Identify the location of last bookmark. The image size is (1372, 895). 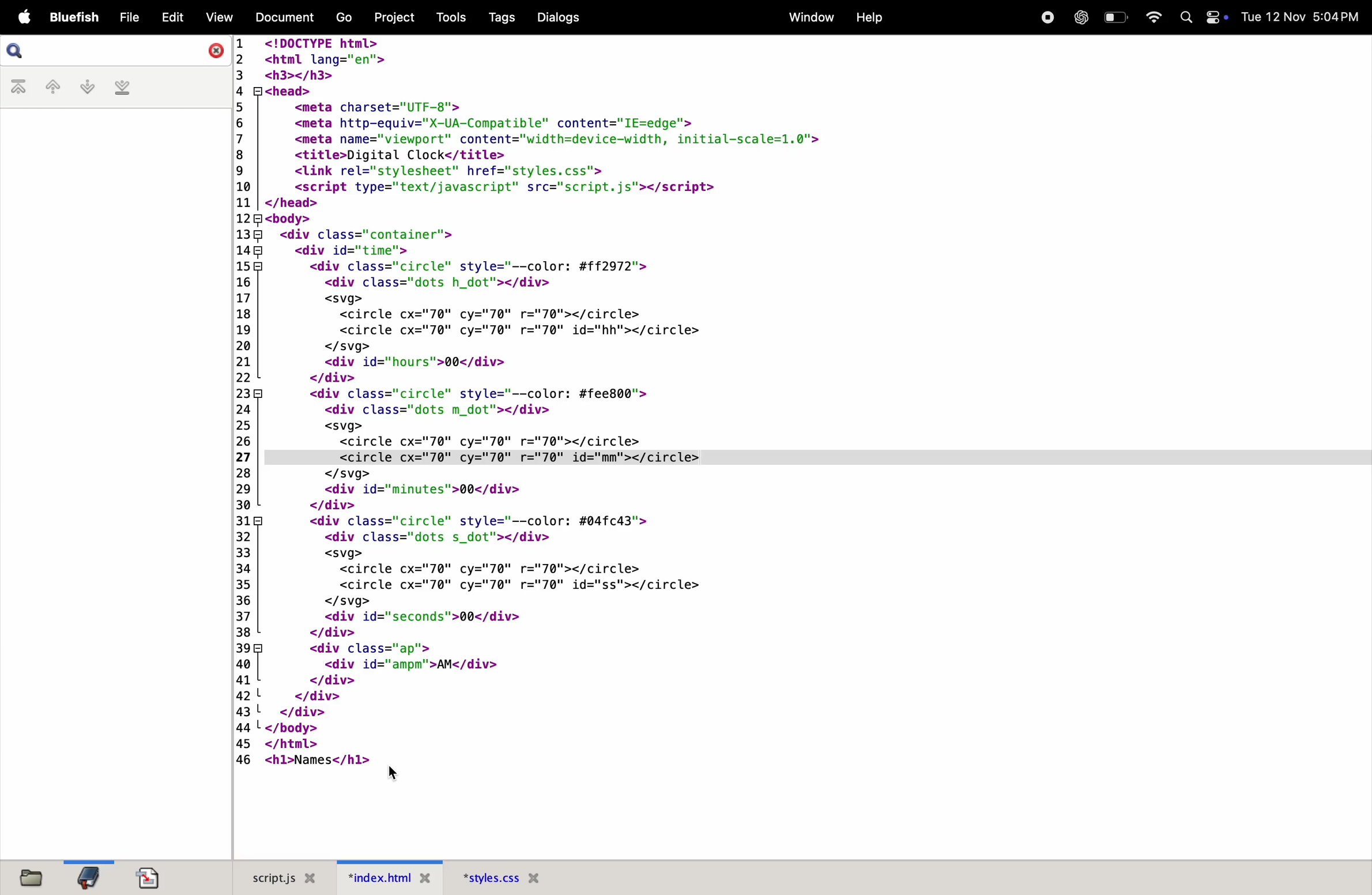
(122, 87).